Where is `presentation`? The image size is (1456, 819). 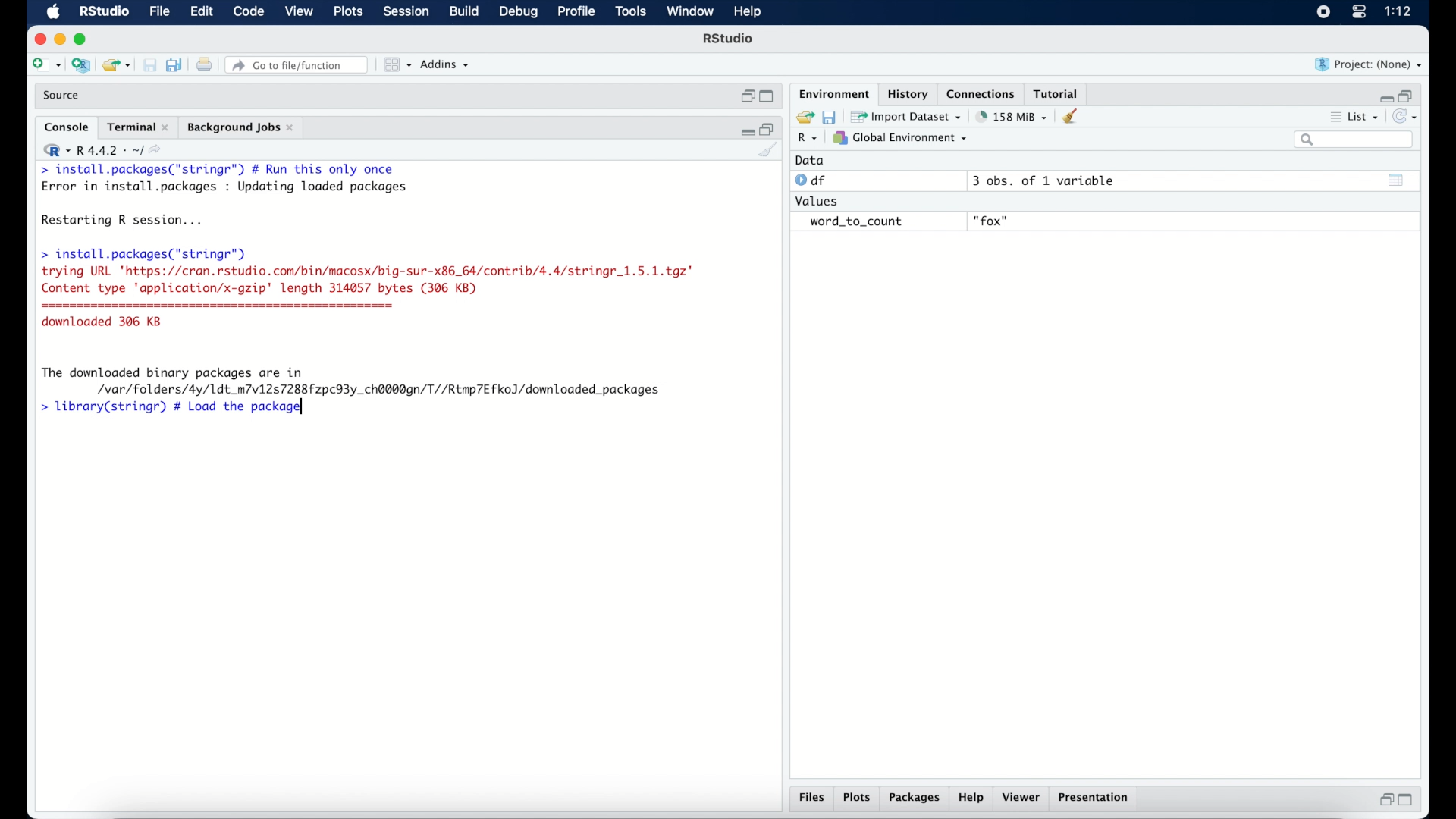
presentation is located at coordinates (1096, 799).